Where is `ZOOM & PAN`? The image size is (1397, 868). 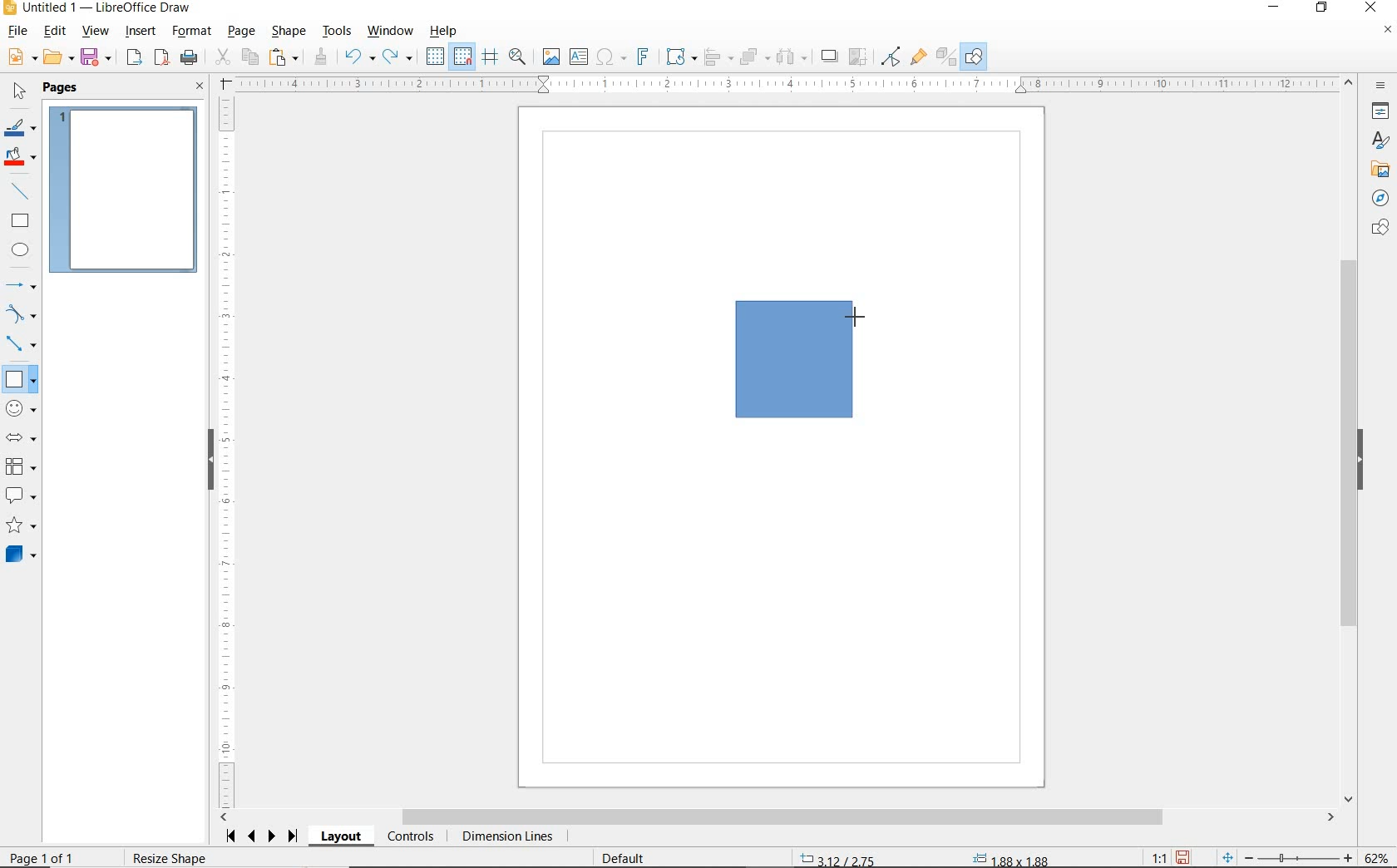 ZOOM & PAN is located at coordinates (518, 57).